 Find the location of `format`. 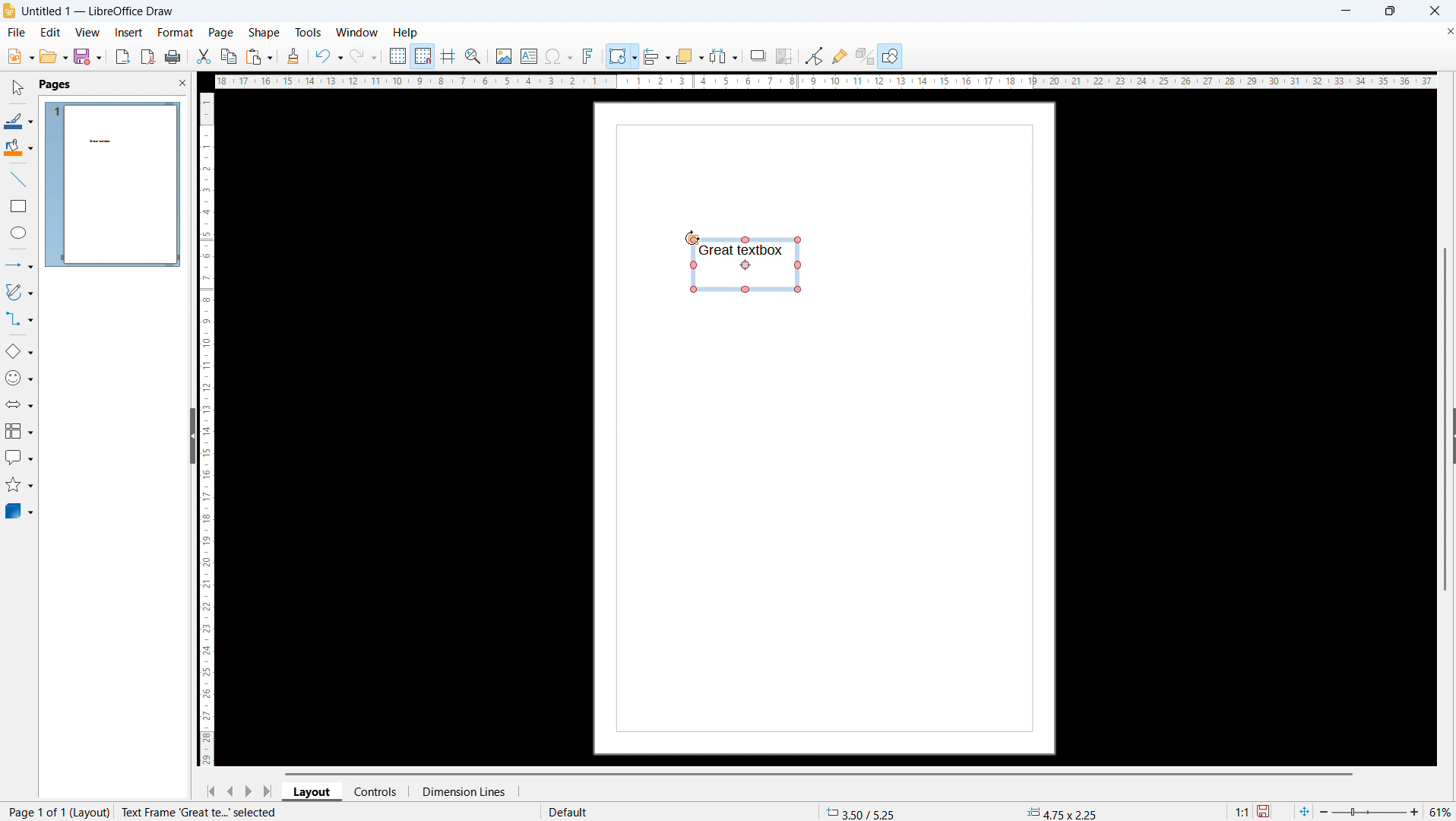

format is located at coordinates (174, 32).